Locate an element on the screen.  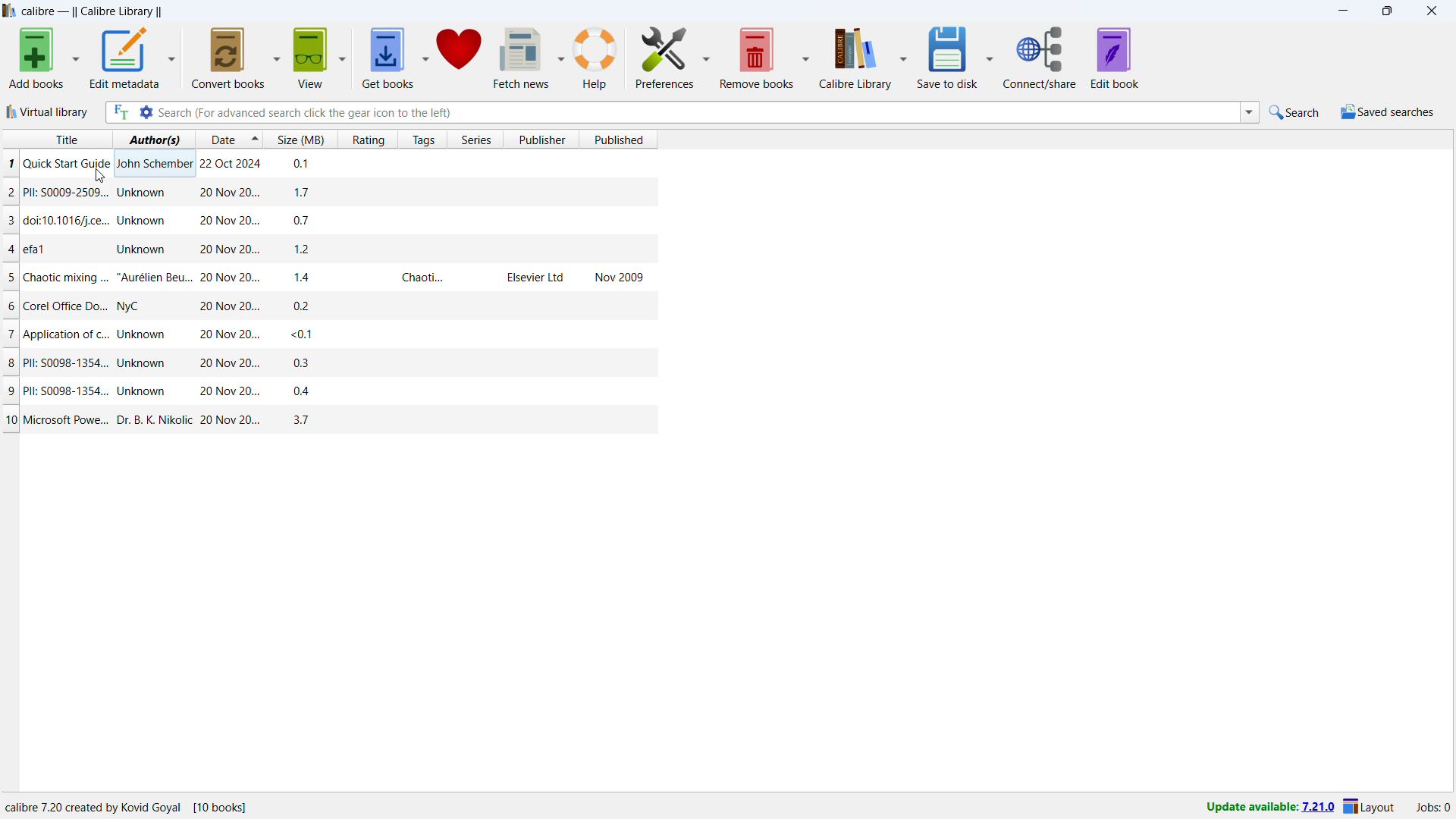
active jobs is located at coordinates (1432, 808).